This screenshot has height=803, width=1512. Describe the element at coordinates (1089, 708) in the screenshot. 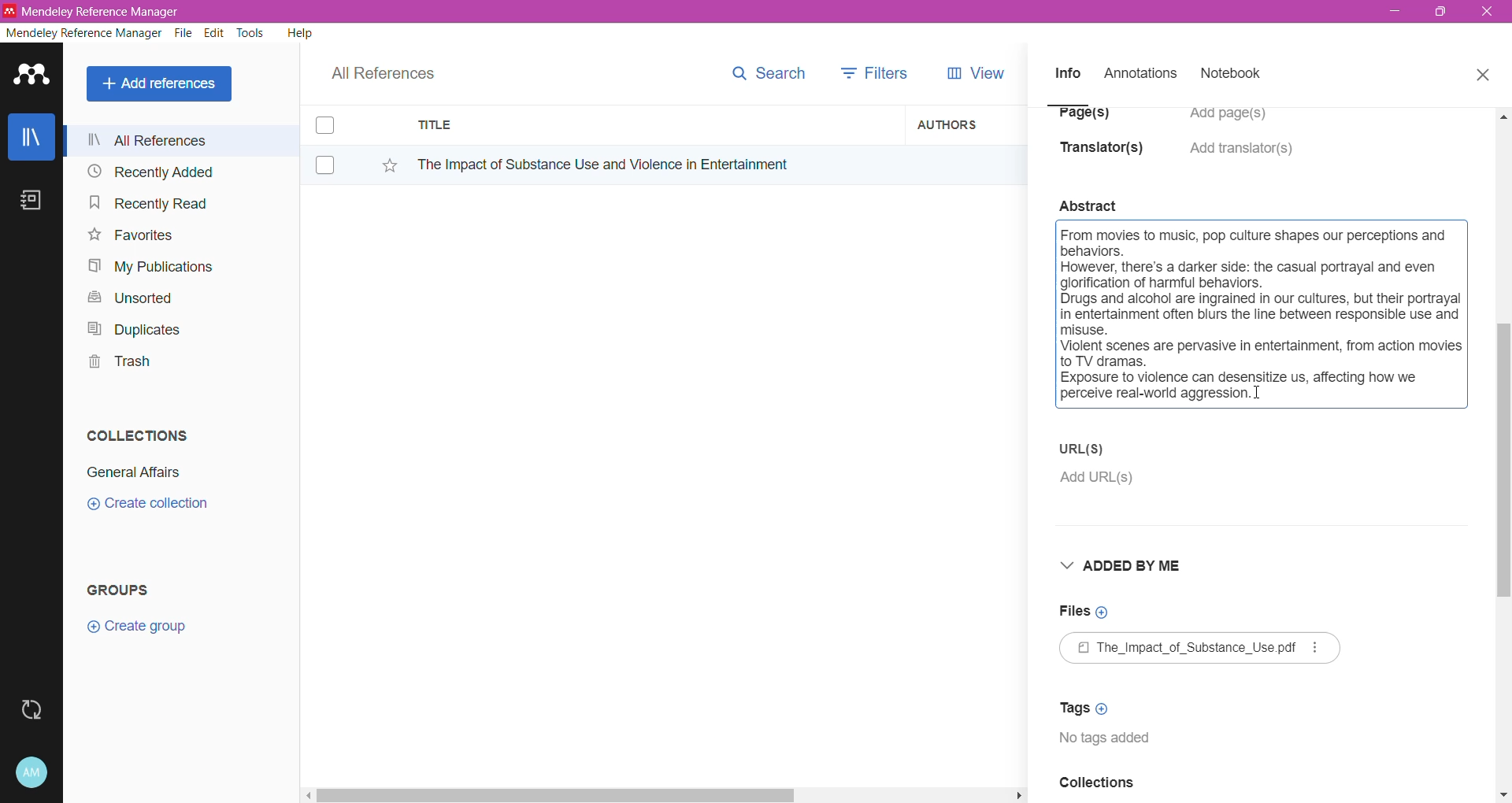

I see `Click to Add Tags` at that location.